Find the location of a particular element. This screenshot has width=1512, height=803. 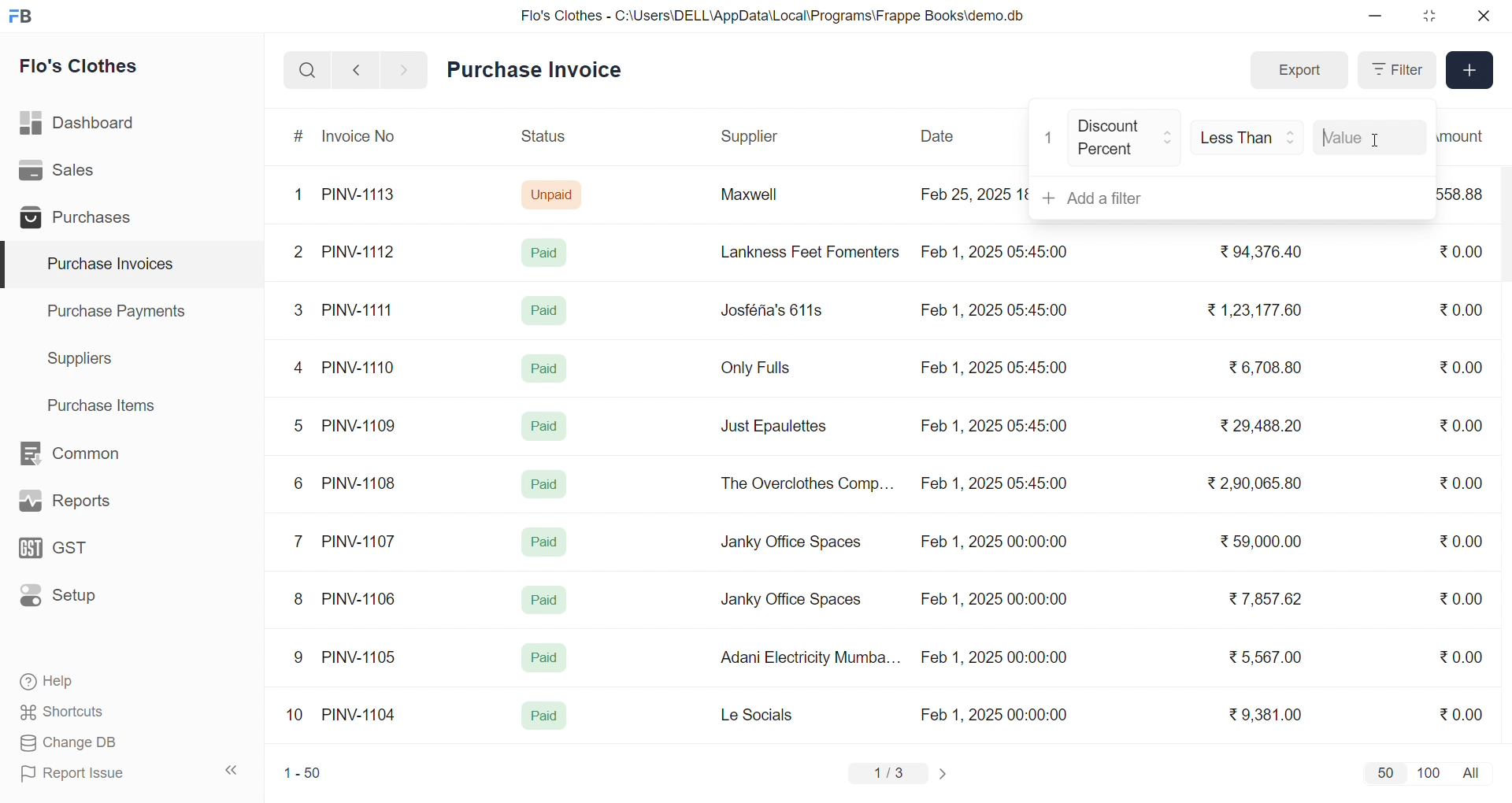

2 is located at coordinates (301, 254).